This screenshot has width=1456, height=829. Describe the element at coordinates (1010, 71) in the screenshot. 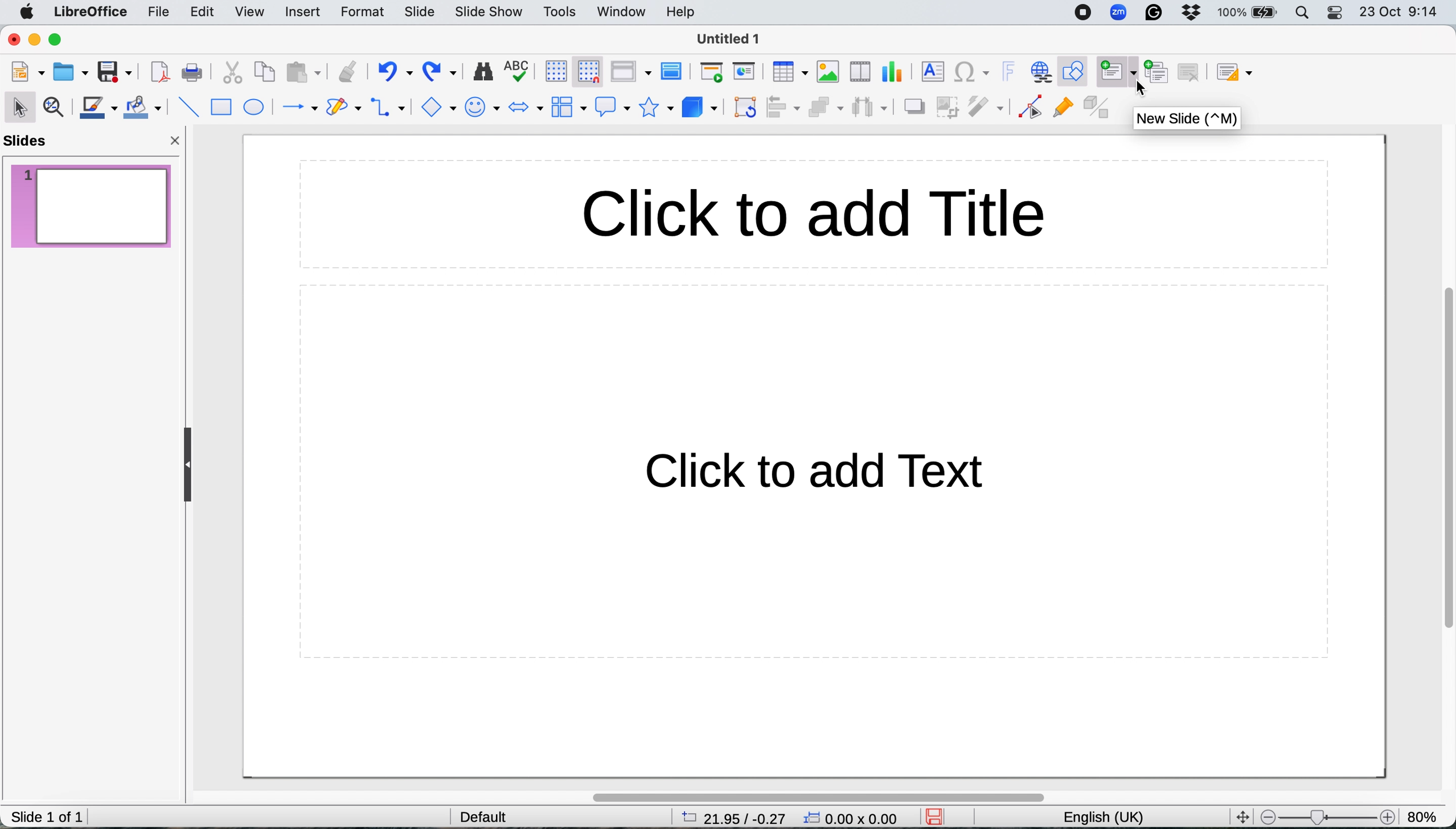

I see `insert fontwork text` at that location.